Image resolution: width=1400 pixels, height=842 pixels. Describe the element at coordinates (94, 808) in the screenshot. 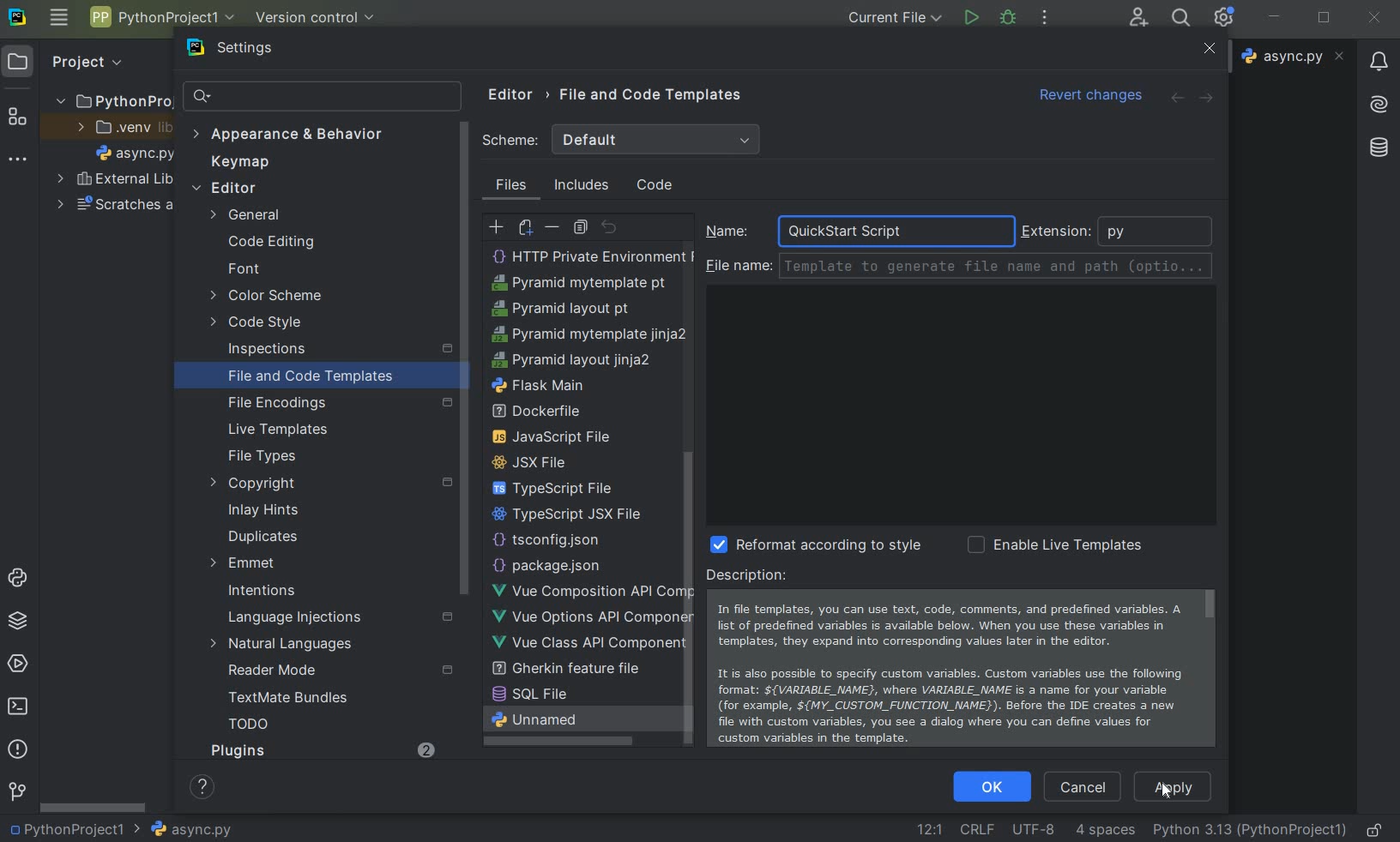

I see `srollbar` at that location.